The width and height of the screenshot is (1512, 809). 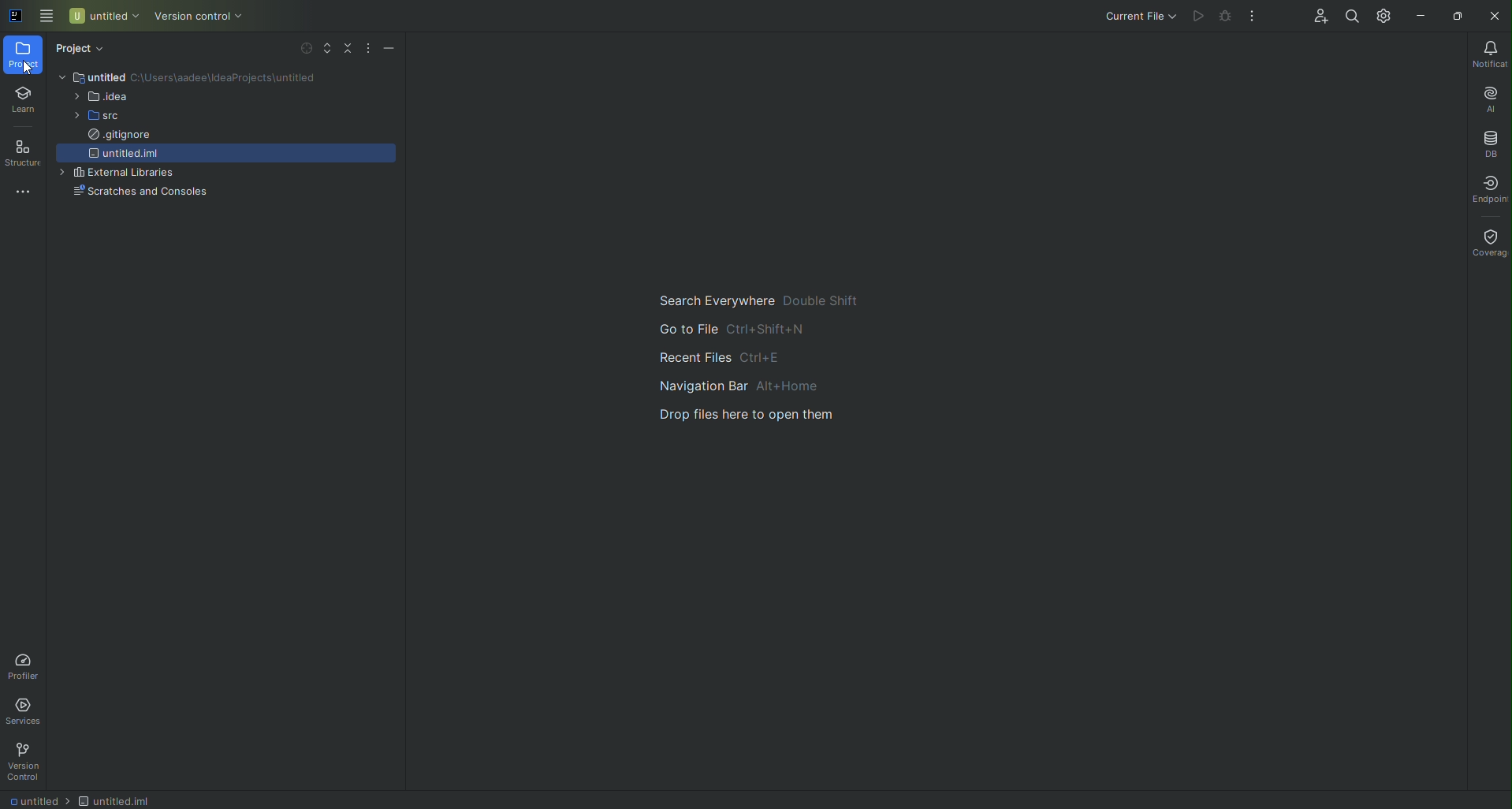 I want to click on Project, so click(x=25, y=52).